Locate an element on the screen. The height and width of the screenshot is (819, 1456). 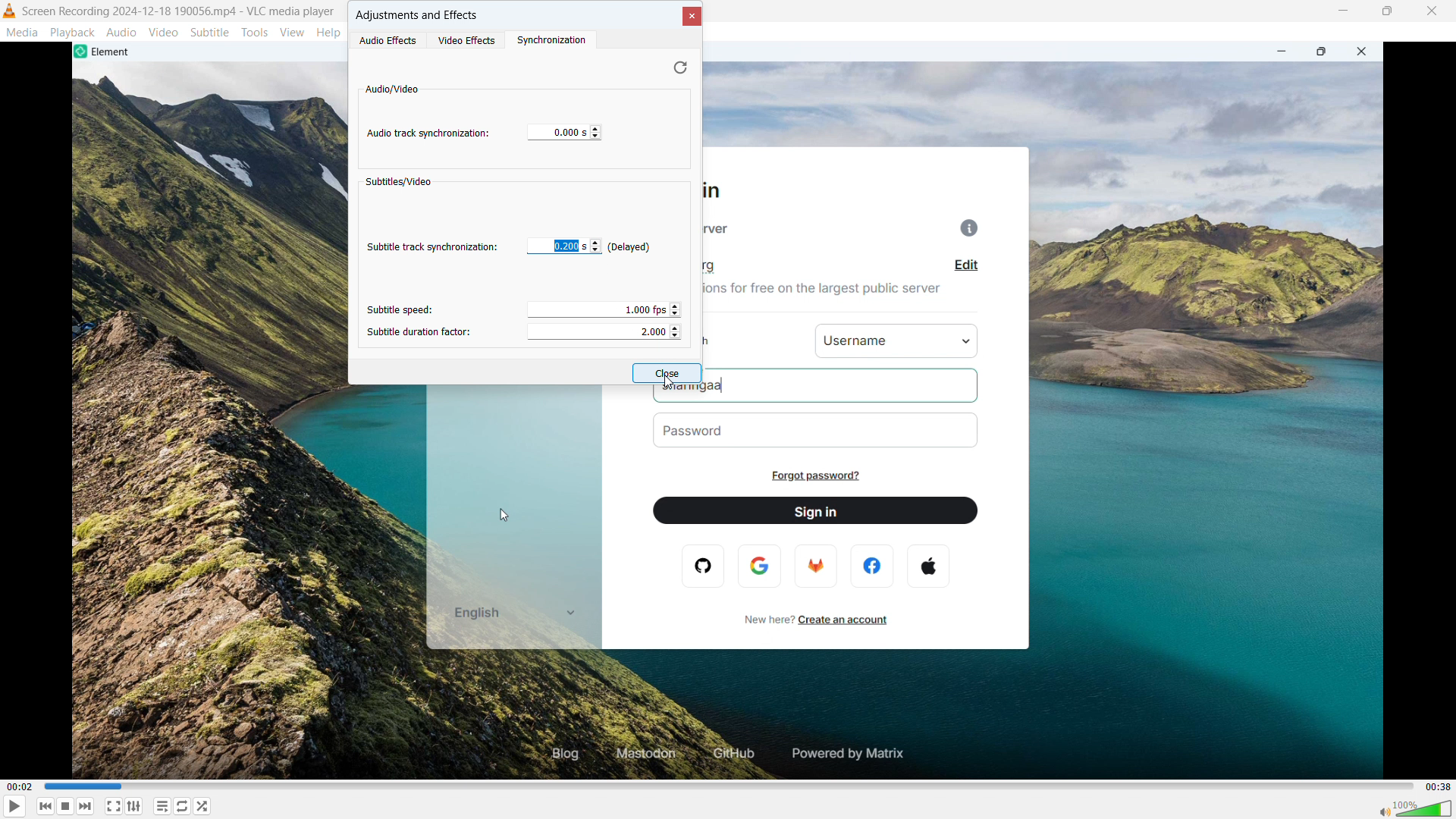
cursor movement is located at coordinates (670, 385).